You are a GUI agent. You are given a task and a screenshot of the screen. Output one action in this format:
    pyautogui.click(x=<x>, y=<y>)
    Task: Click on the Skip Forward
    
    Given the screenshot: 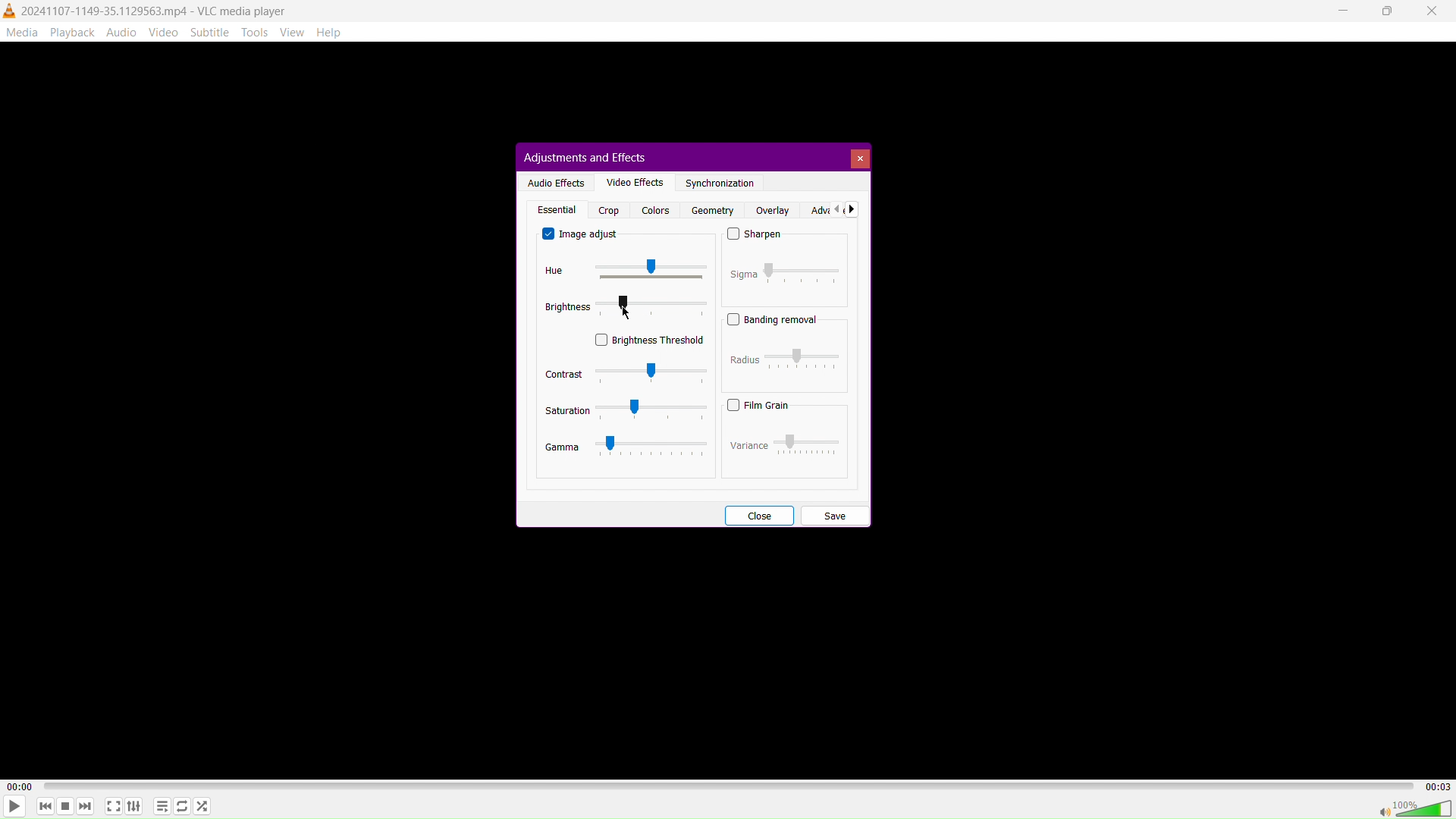 What is the action you would take?
    pyautogui.click(x=86, y=808)
    